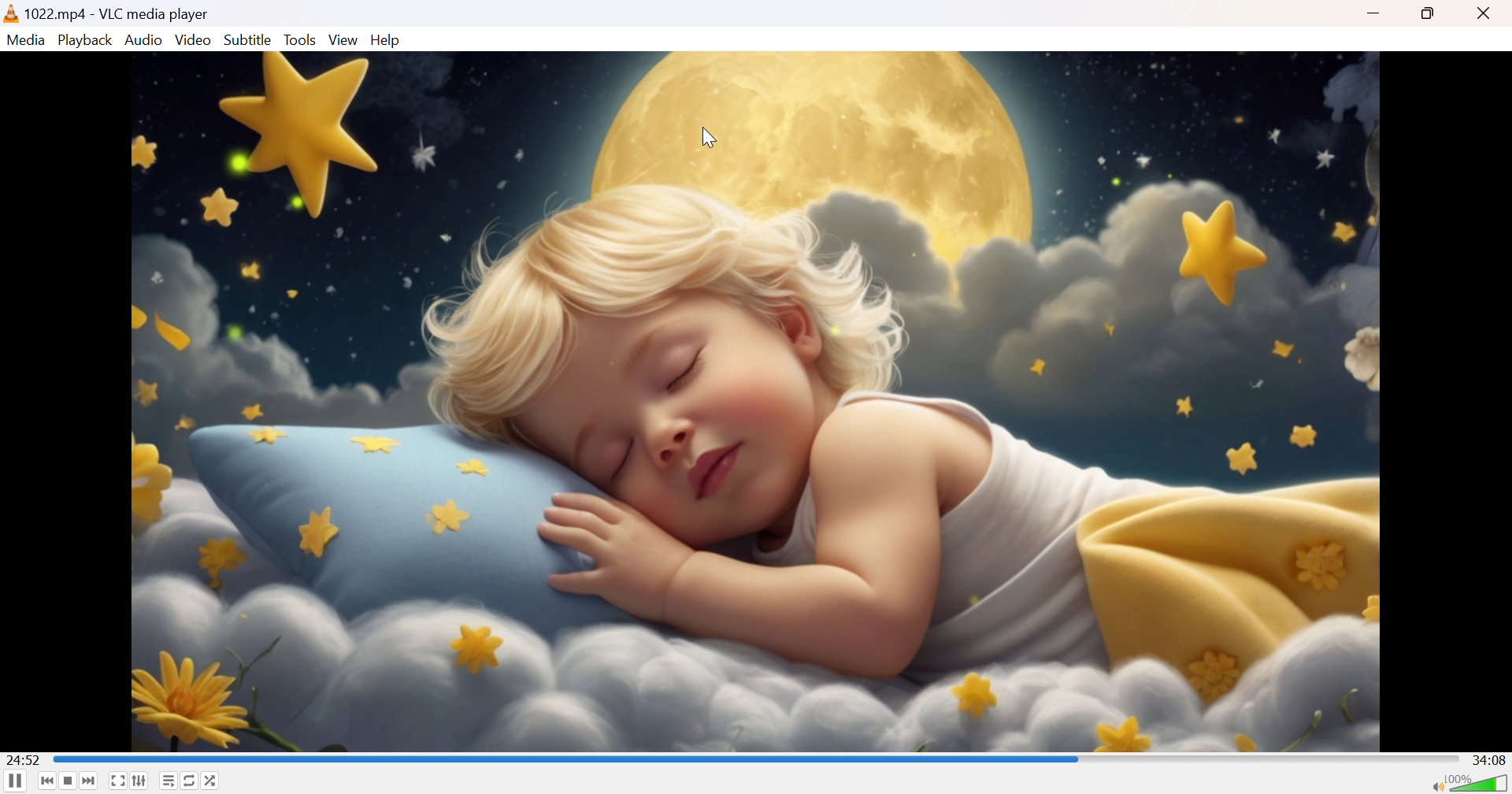 The width and height of the screenshot is (1512, 794). Describe the element at coordinates (69, 781) in the screenshot. I see `Stop playback` at that location.